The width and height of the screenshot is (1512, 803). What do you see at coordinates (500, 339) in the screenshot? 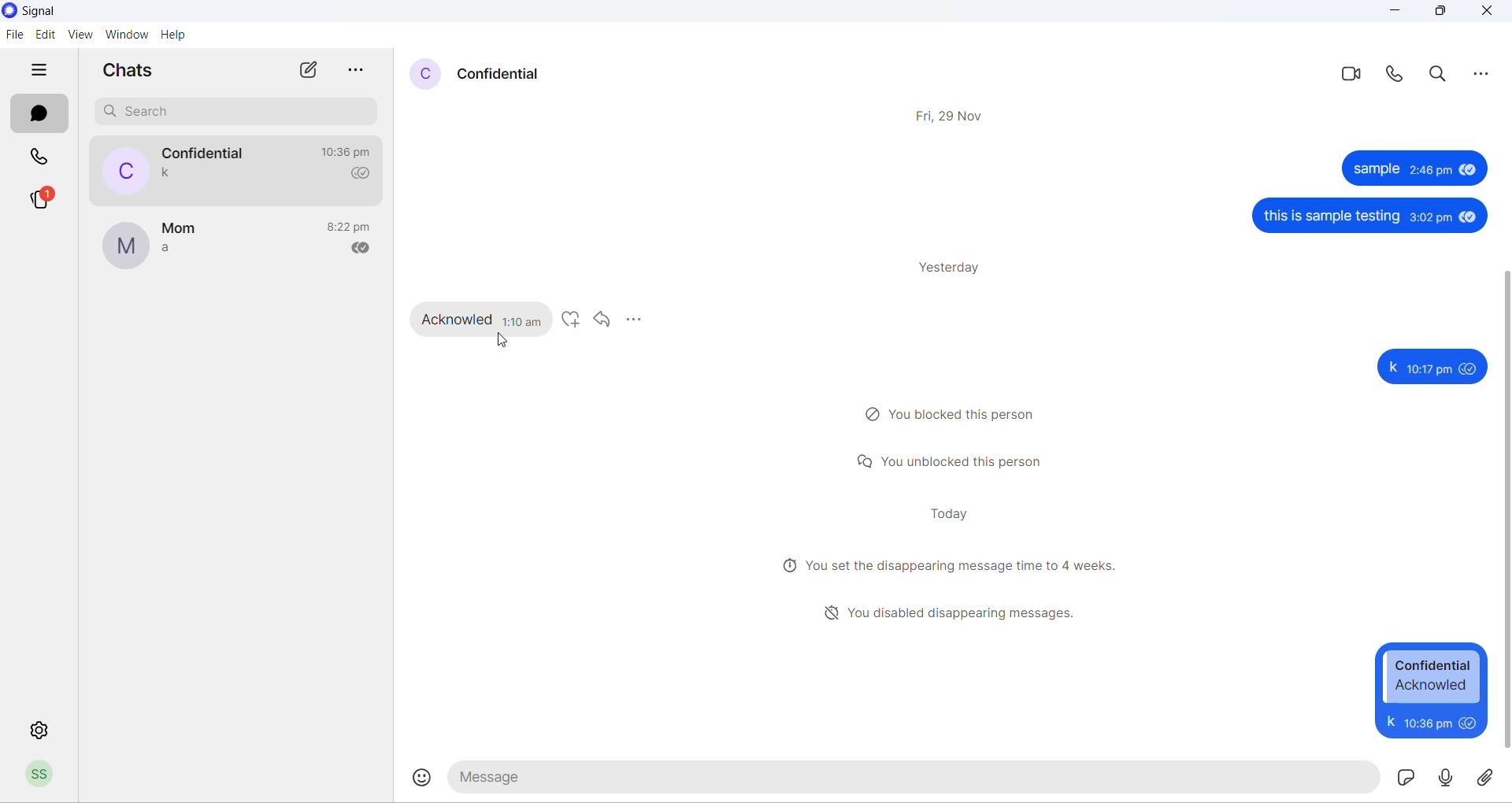
I see `cursor` at bounding box center [500, 339].